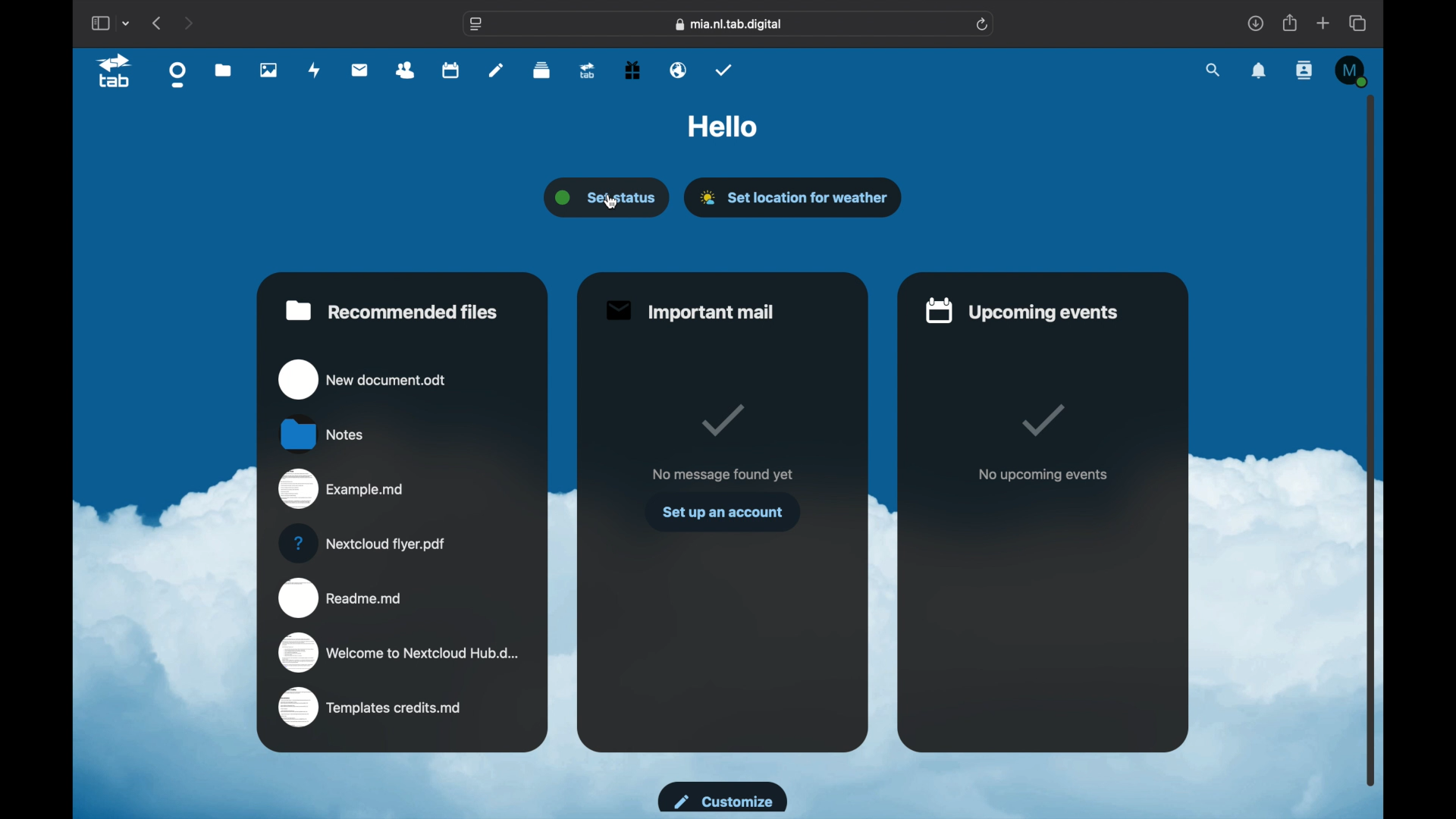 Image resolution: width=1456 pixels, height=819 pixels. Describe the element at coordinates (632, 69) in the screenshot. I see `free trial` at that location.